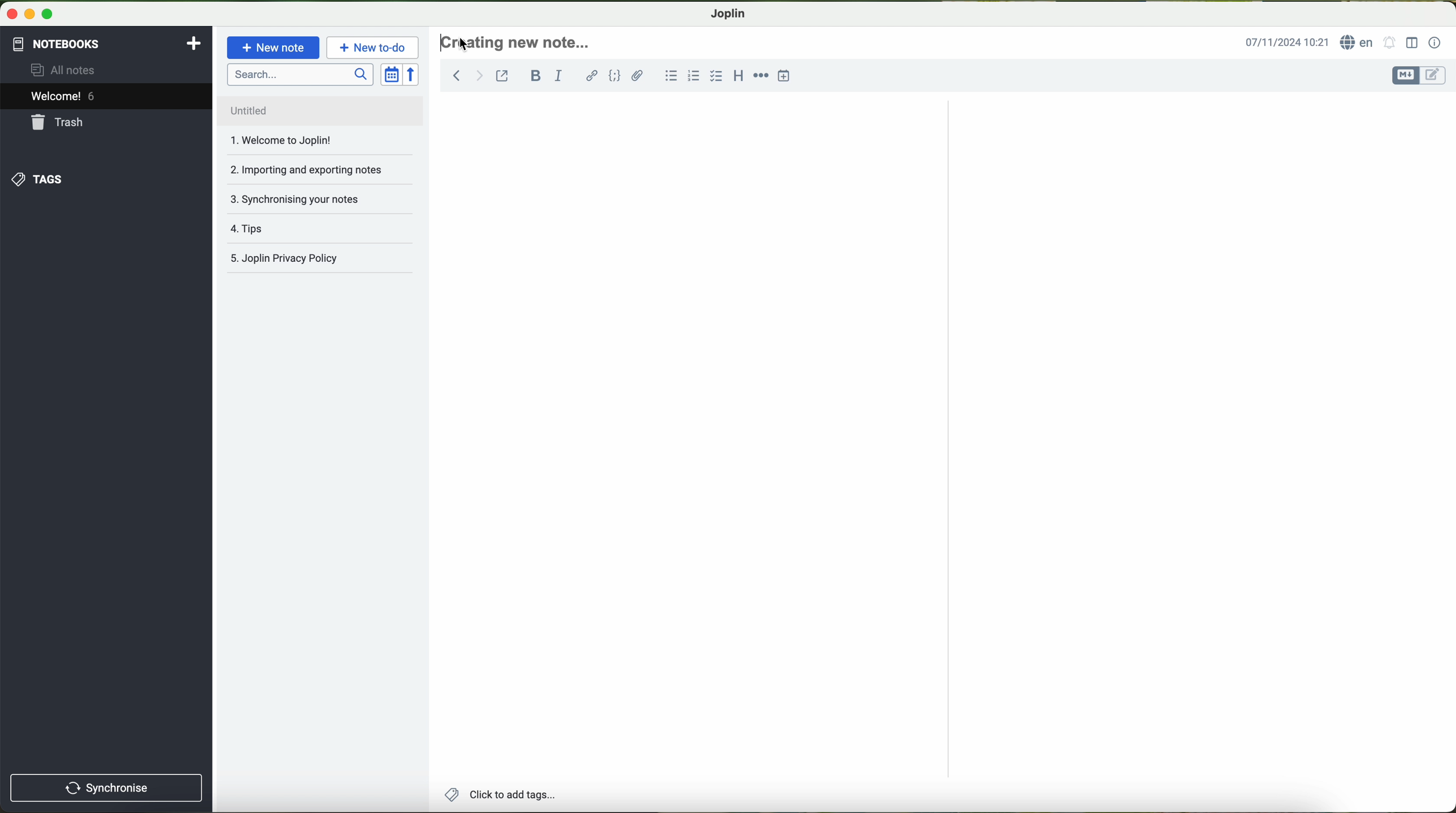 This screenshot has height=813, width=1456. What do you see at coordinates (479, 75) in the screenshot?
I see `forward` at bounding box center [479, 75].